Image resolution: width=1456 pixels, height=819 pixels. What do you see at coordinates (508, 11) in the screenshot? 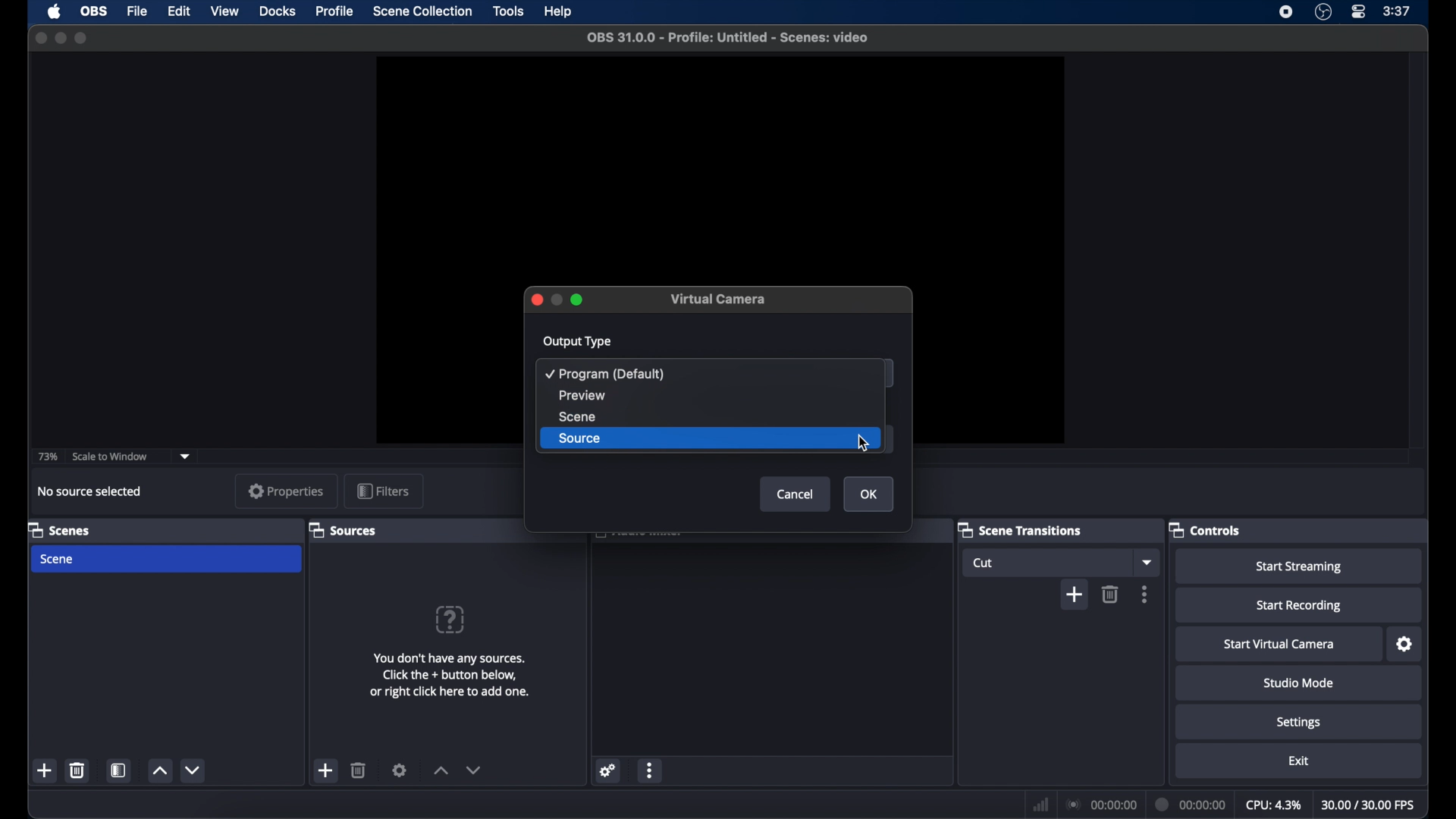
I see `tools` at bounding box center [508, 11].